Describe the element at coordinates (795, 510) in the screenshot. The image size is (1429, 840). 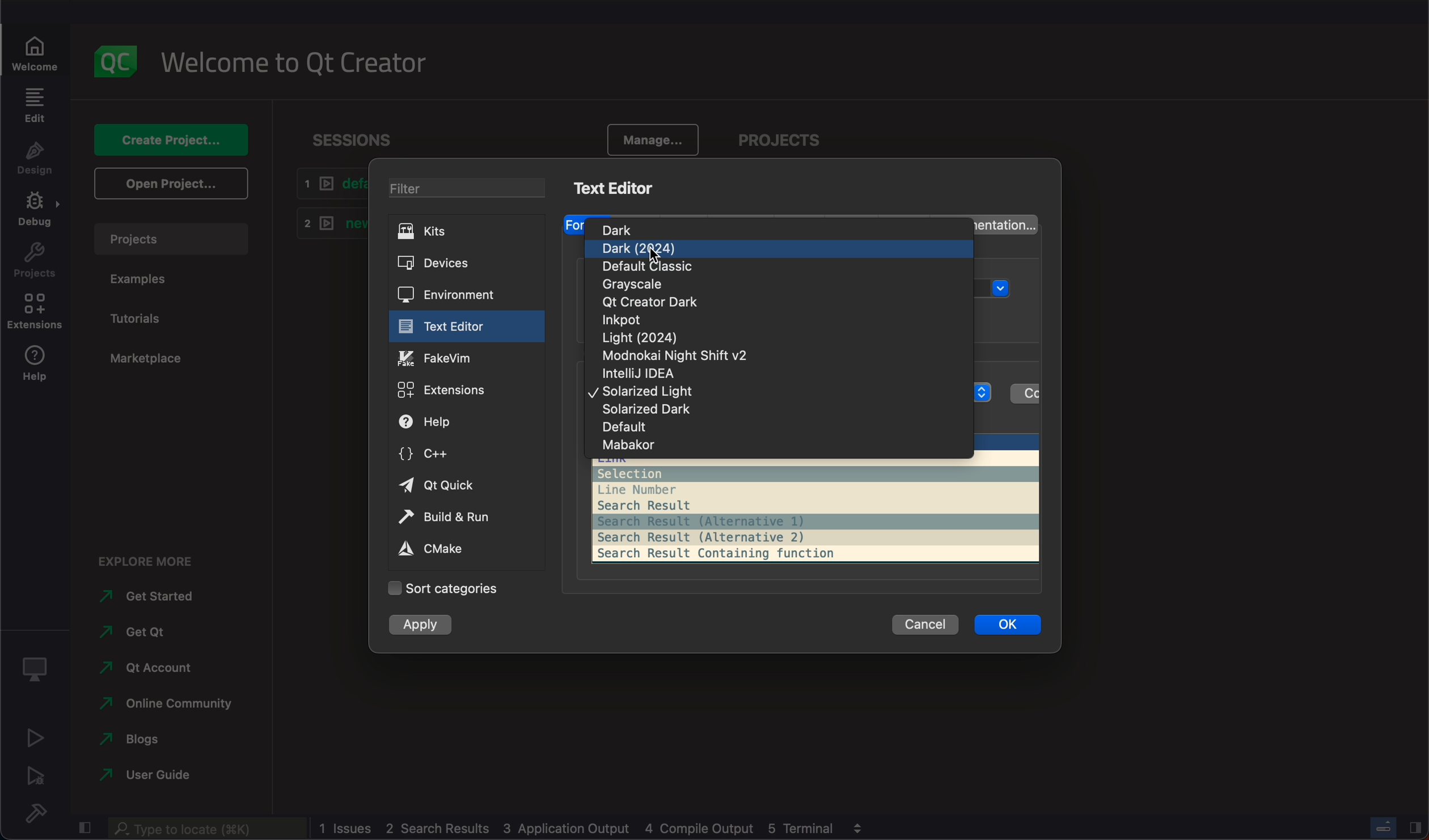
I see `preview` at that location.